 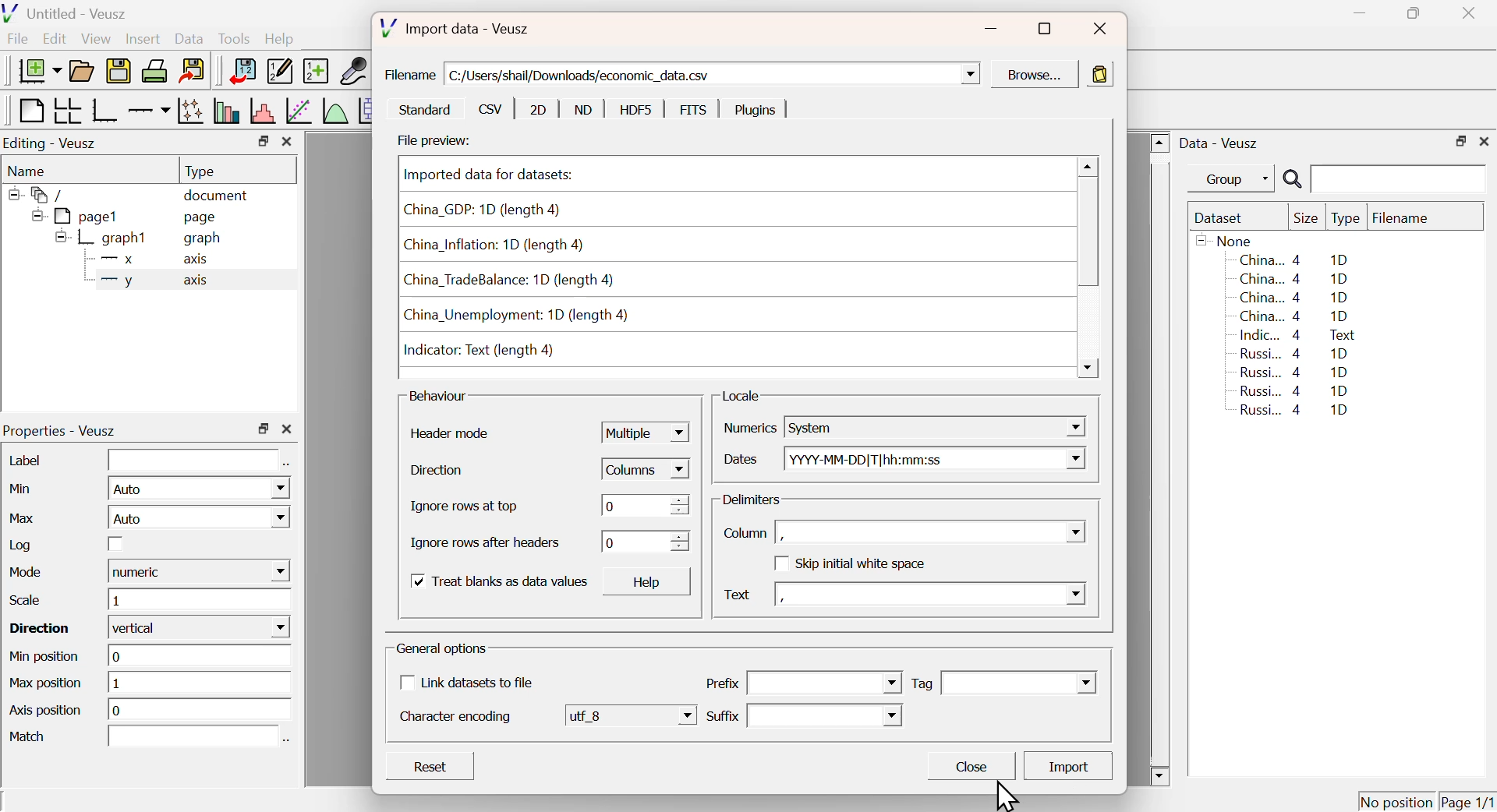 I want to click on Locale, so click(x=738, y=397).